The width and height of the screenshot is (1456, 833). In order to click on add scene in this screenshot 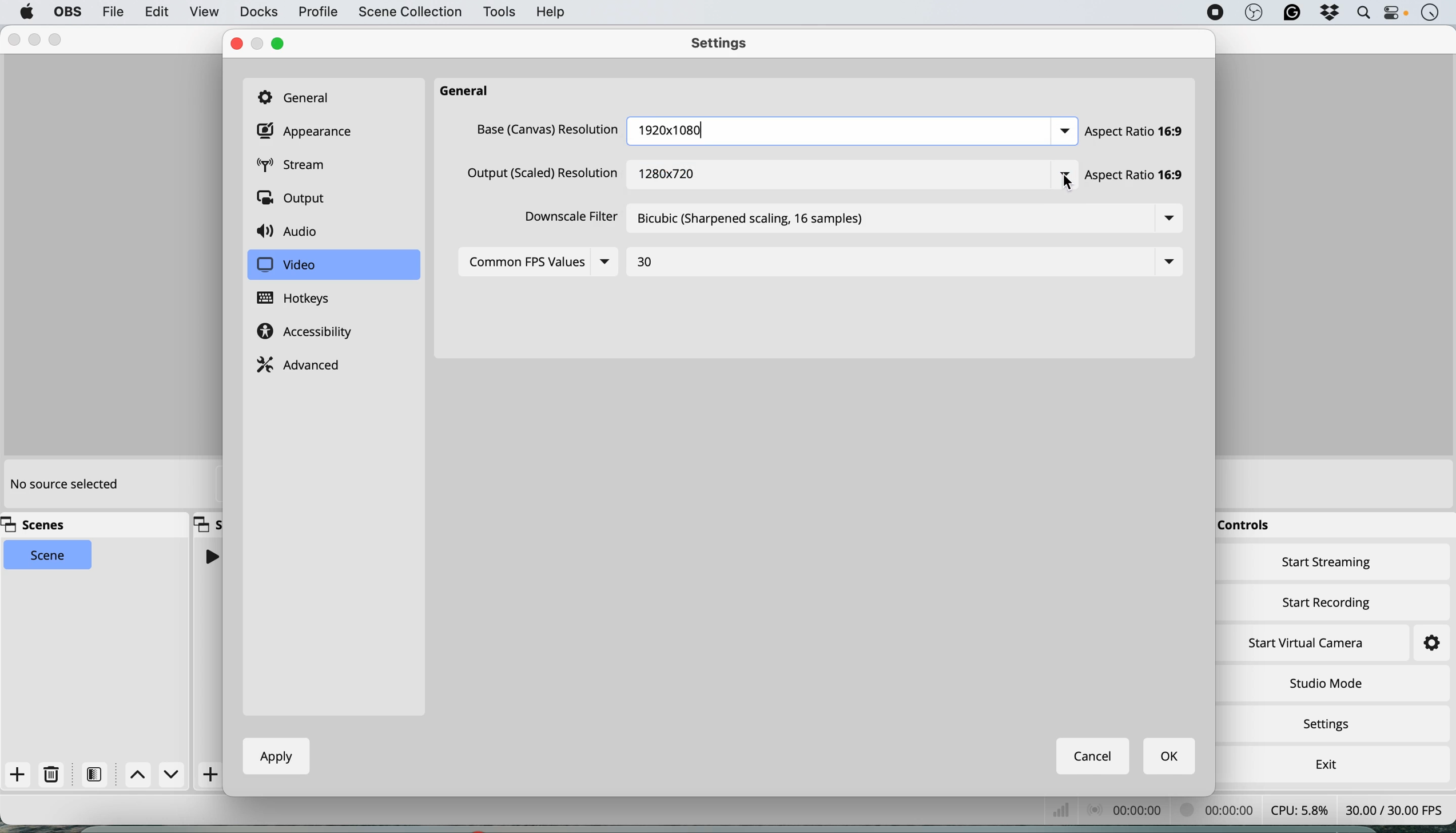, I will do `click(18, 775)`.